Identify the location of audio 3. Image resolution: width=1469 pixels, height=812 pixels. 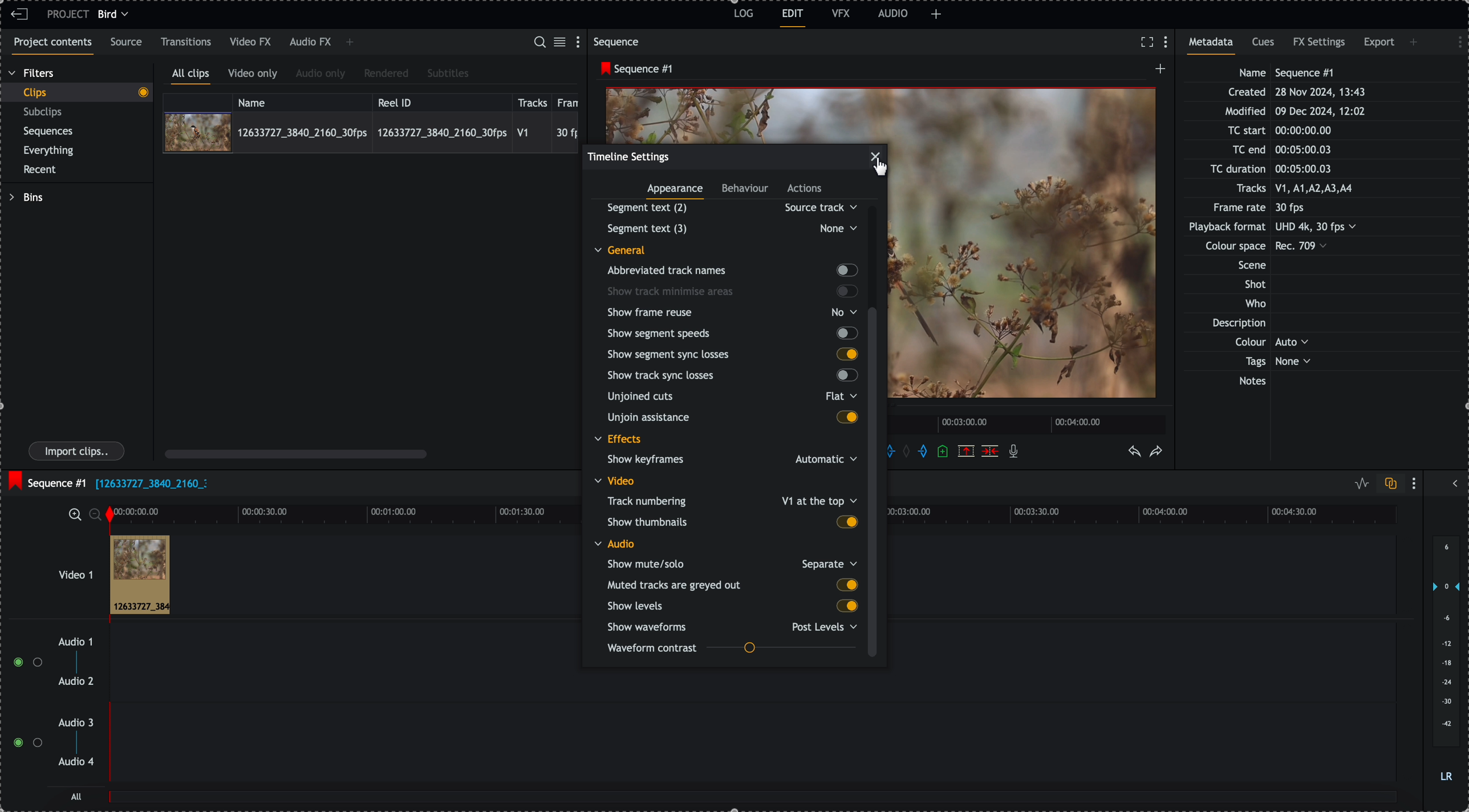
(79, 723).